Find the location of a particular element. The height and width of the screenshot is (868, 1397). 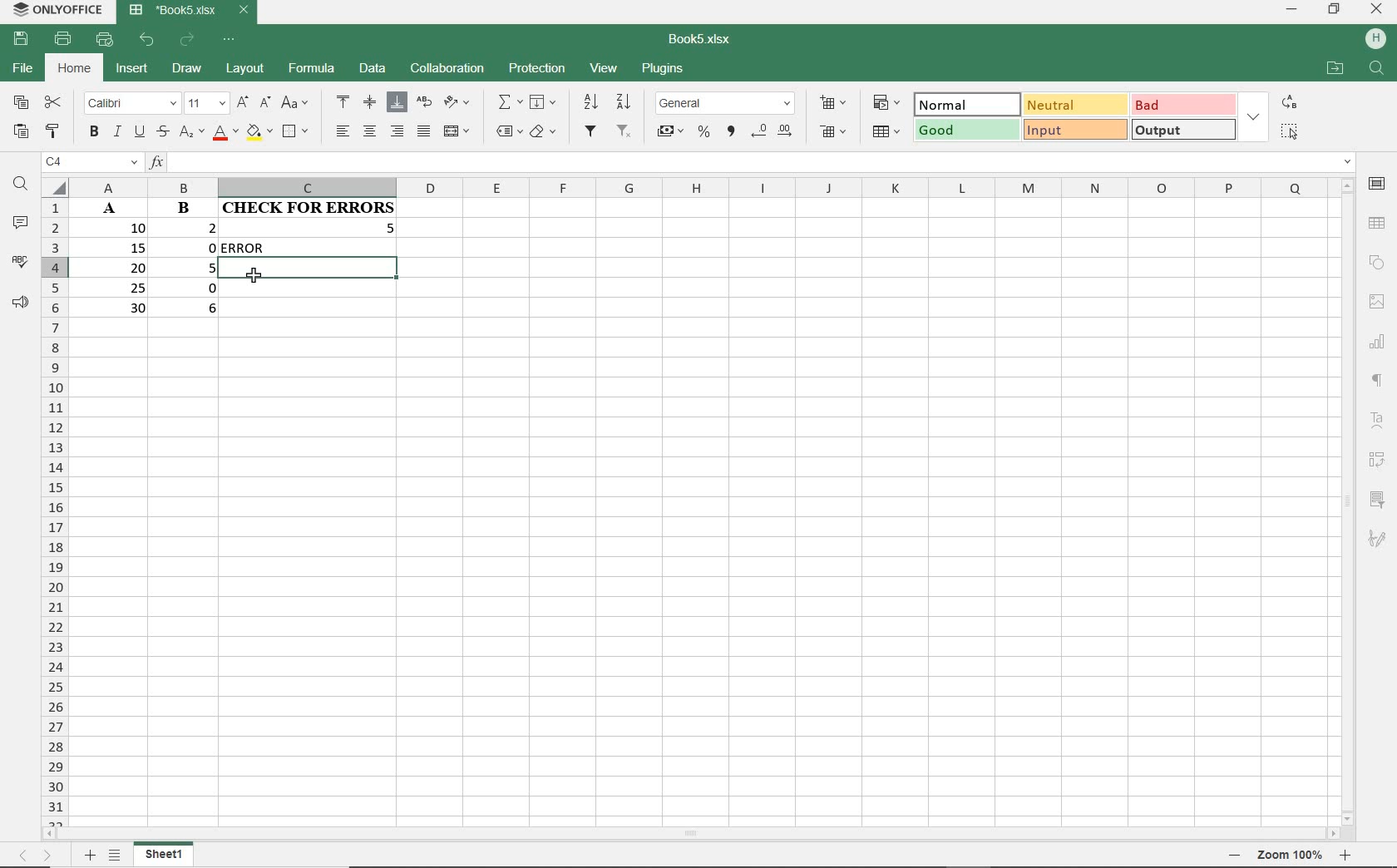

OUTPUT is located at coordinates (1182, 129).